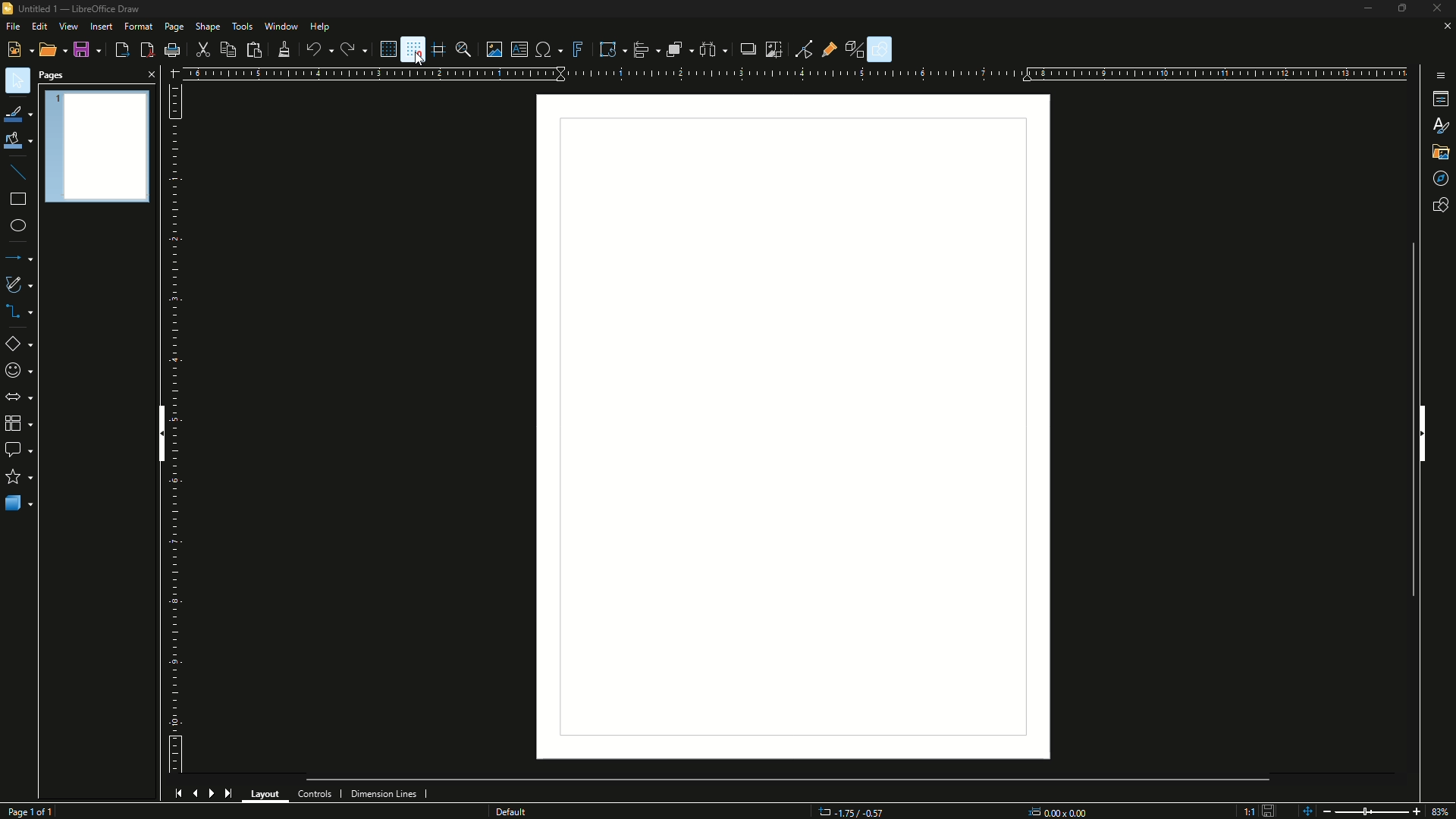 This screenshot has width=1456, height=819. I want to click on Paste, so click(257, 49).